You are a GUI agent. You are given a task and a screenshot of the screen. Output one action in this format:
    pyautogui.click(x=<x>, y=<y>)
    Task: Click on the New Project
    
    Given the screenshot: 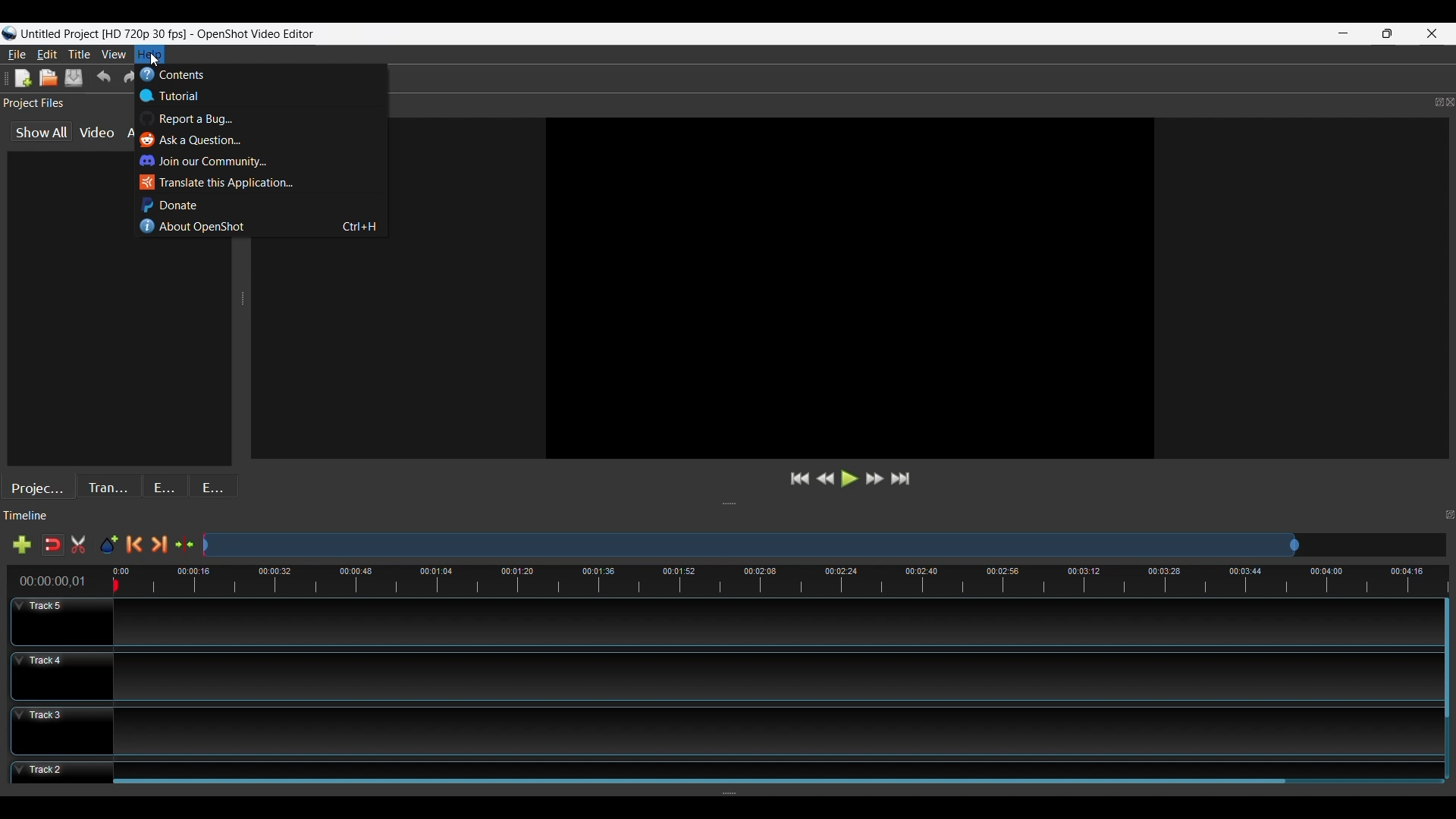 What is the action you would take?
    pyautogui.click(x=20, y=78)
    